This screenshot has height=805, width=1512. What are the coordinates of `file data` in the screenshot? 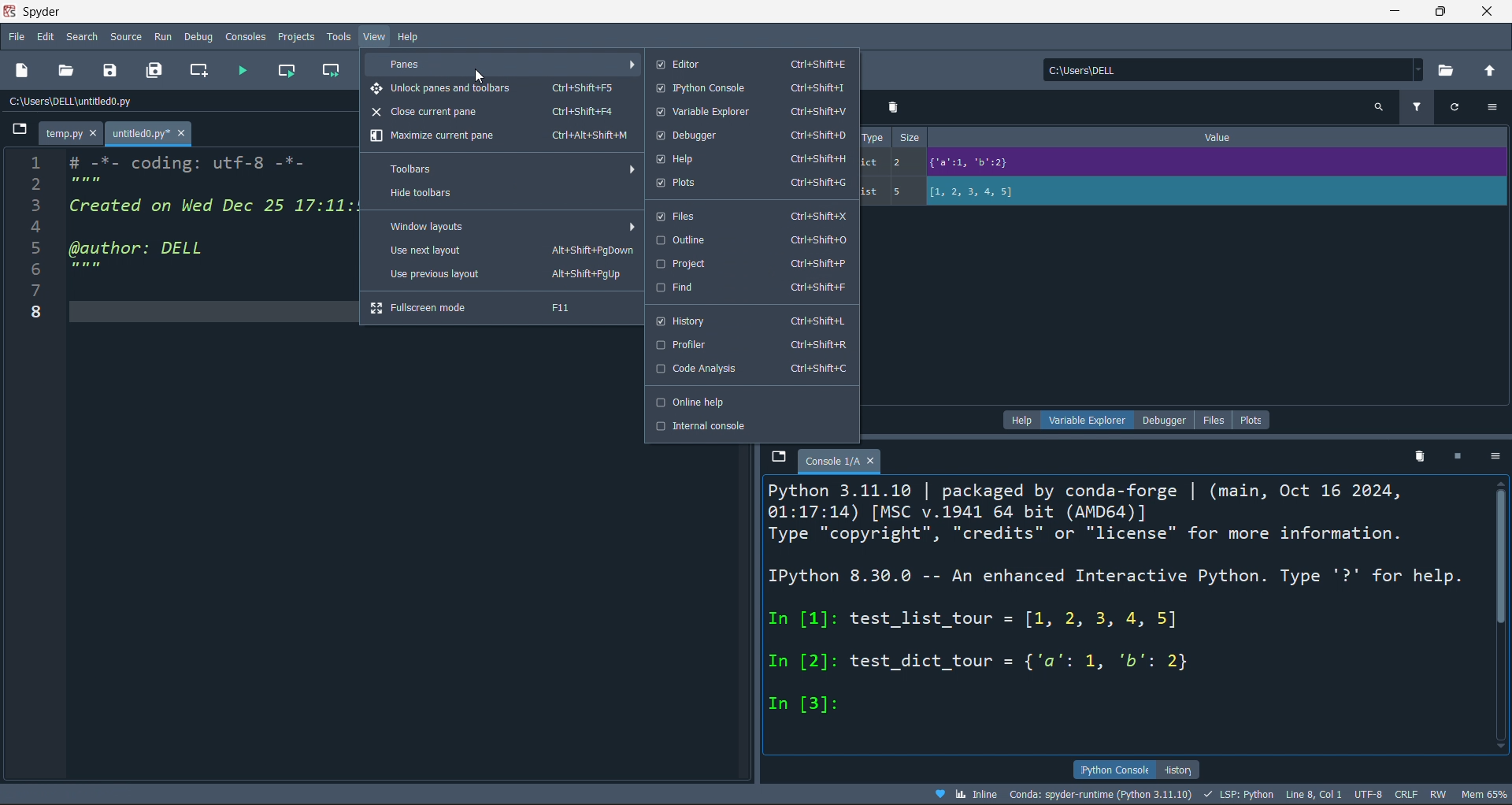 It's located at (758, 794).